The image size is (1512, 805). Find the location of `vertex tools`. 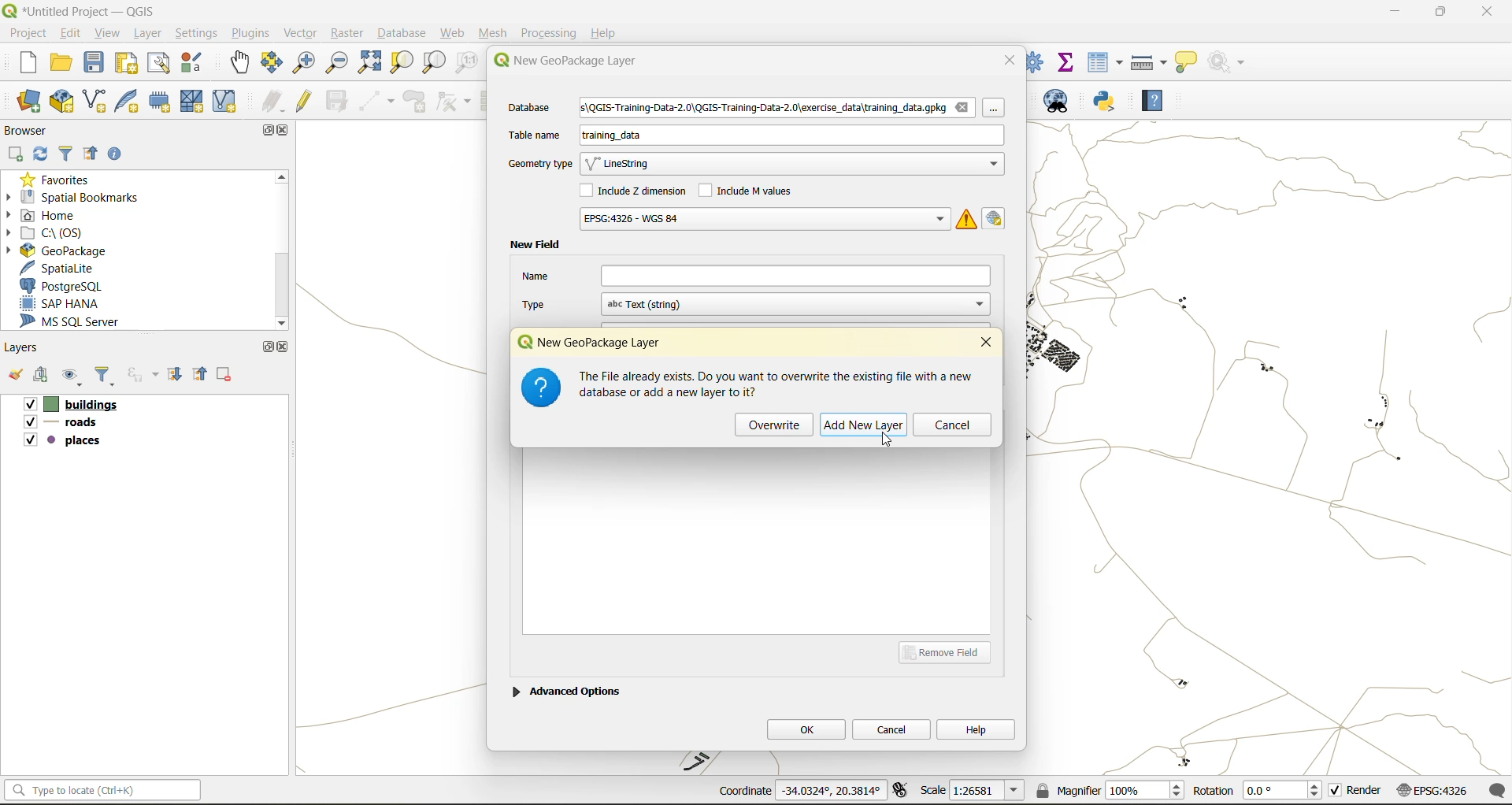

vertex tools is located at coordinates (454, 102).